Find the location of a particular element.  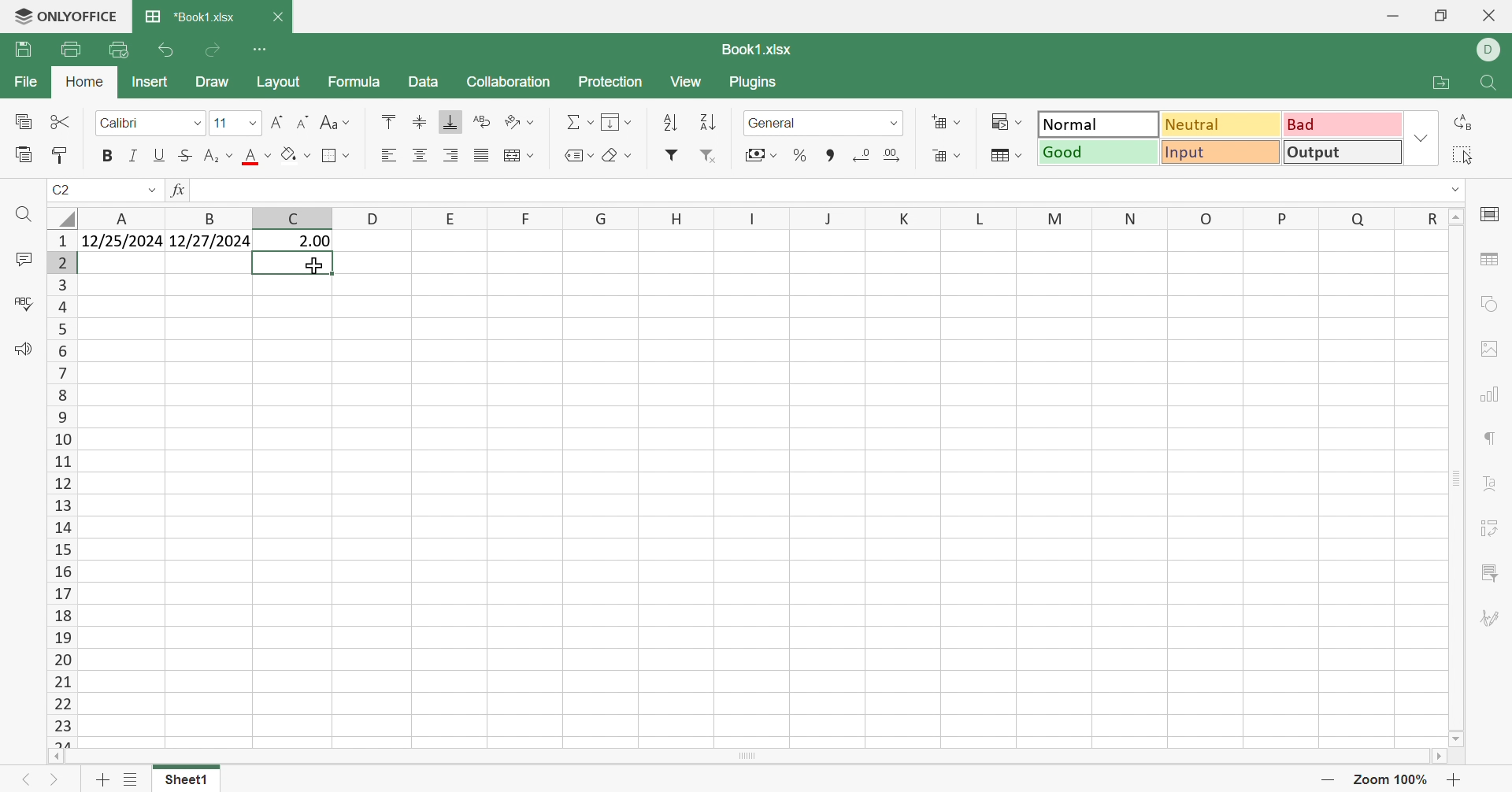

Copy is located at coordinates (24, 121).